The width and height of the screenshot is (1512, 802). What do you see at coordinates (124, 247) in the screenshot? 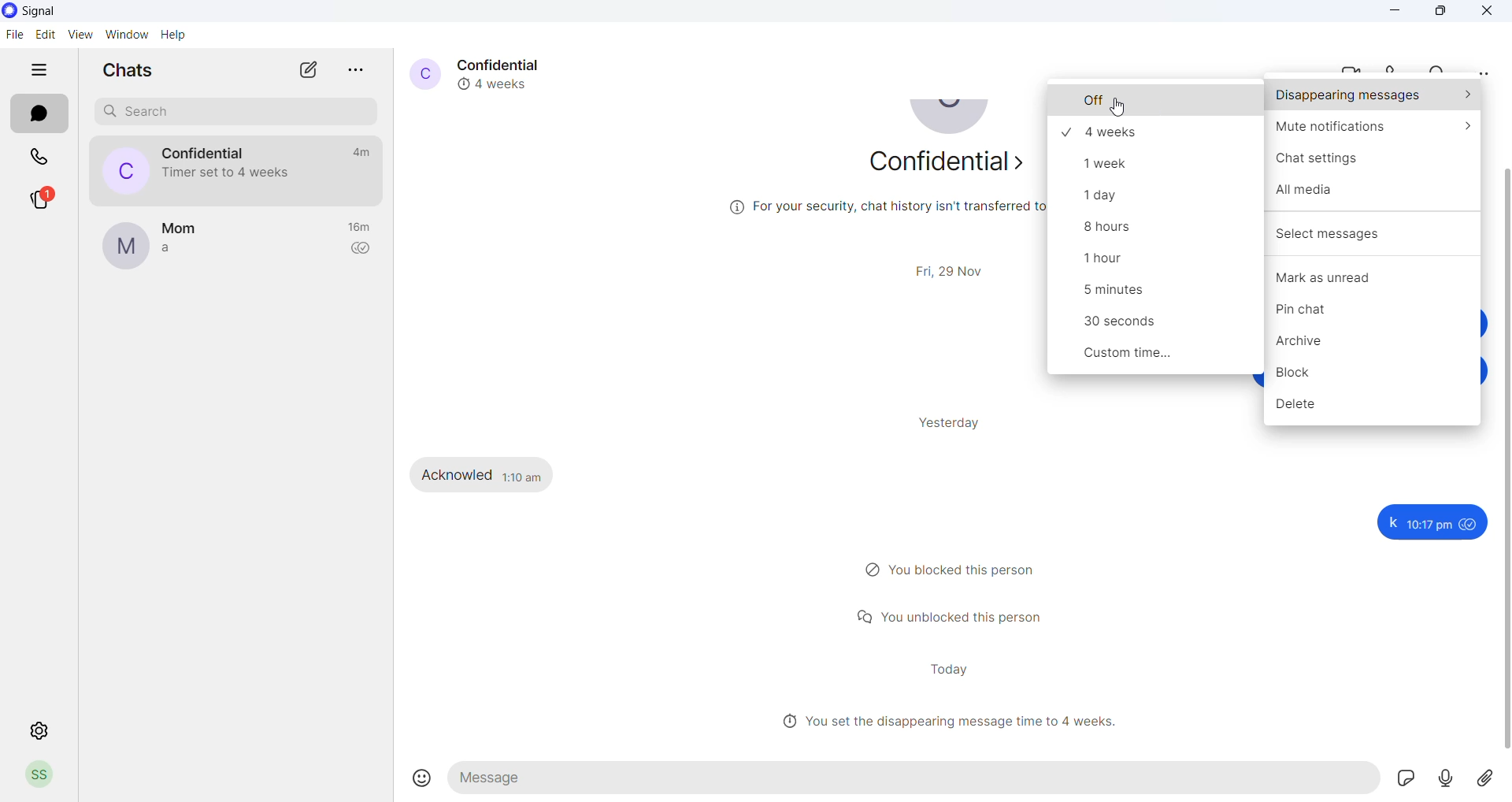
I see `profile picture` at bounding box center [124, 247].